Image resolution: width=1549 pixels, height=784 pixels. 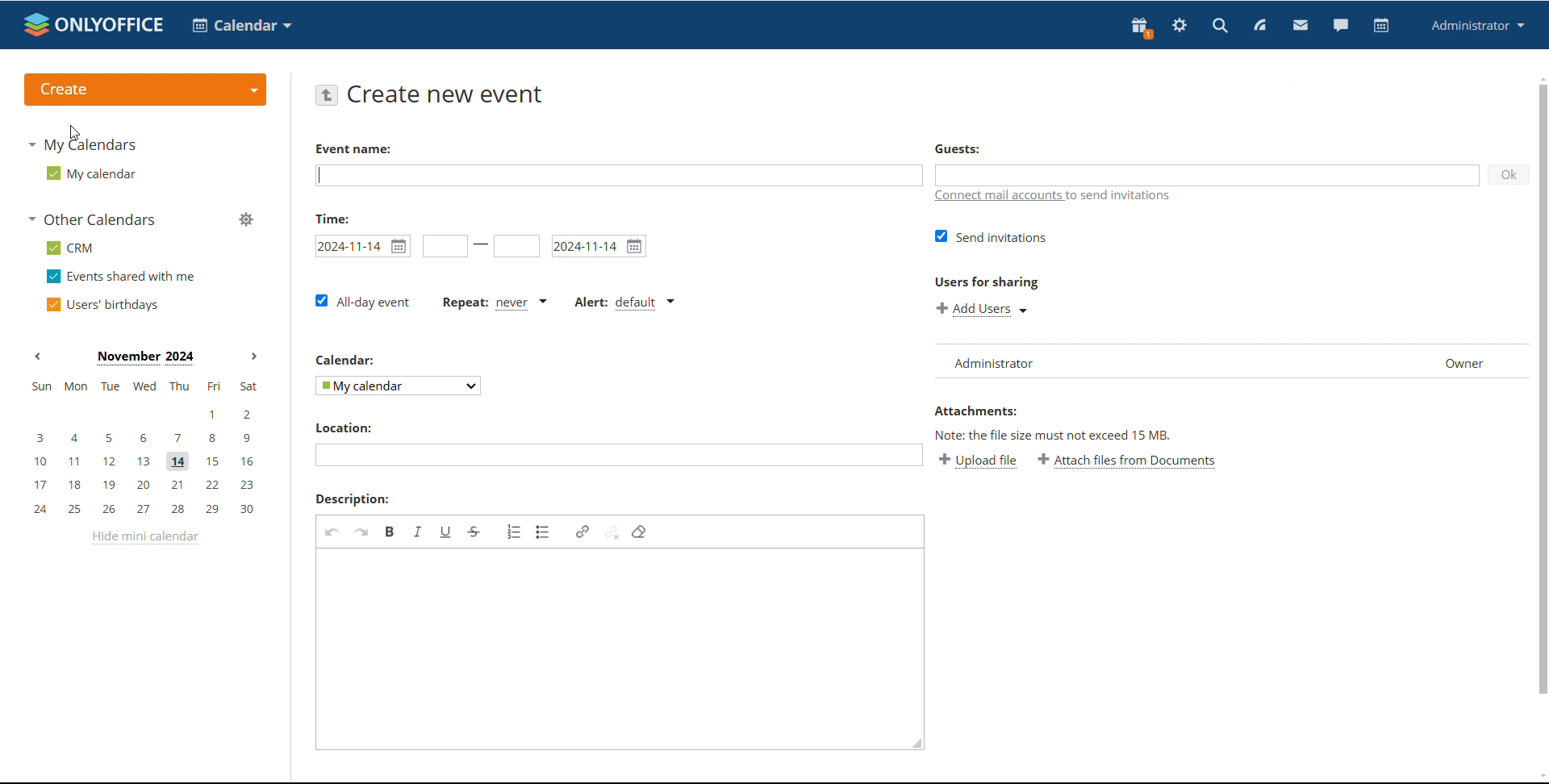 What do you see at coordinates (148, 510) in the screenshot?
I see `24, 25, 26, 27, 28, 29, 30 ` at bounding box center [148, 510].